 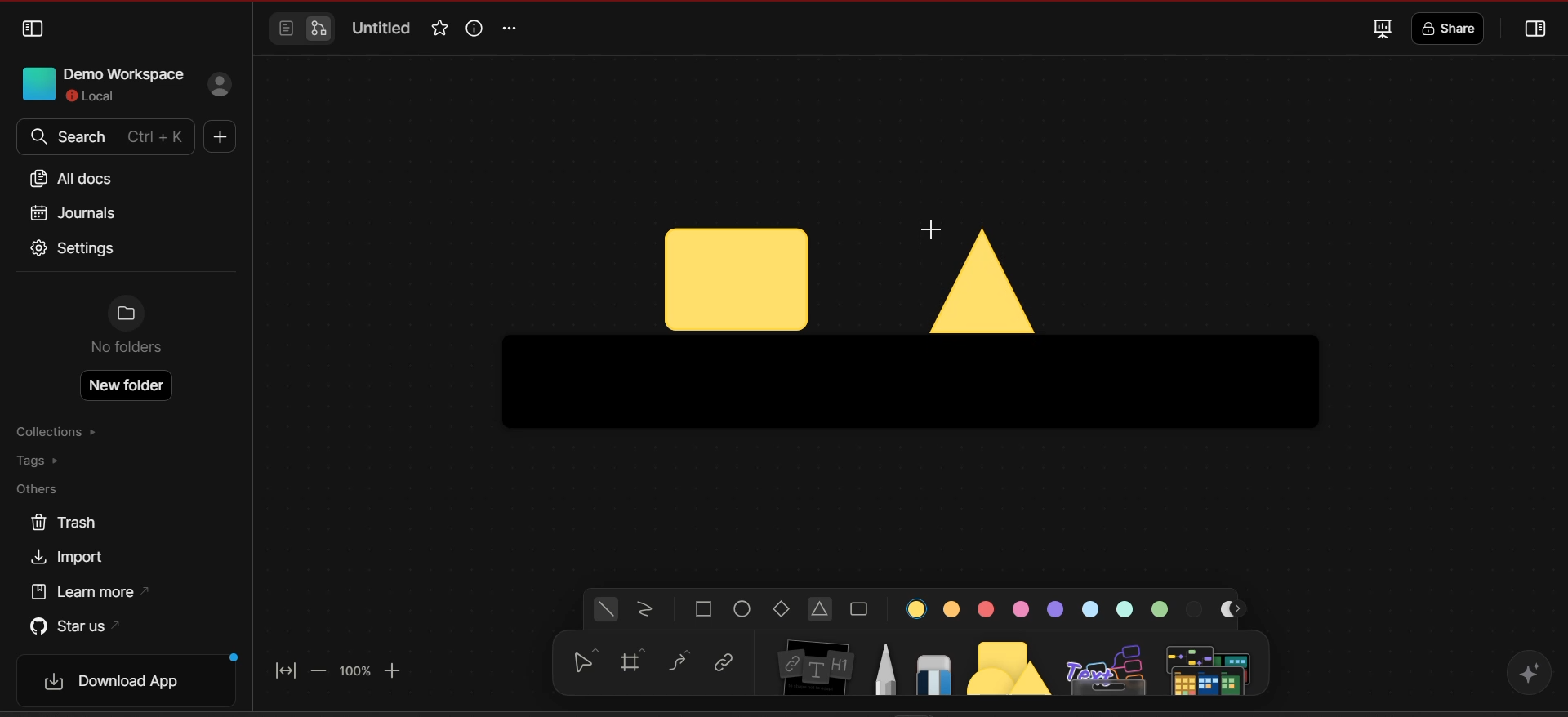 I want to click on view info, so click(x=472, y=28).